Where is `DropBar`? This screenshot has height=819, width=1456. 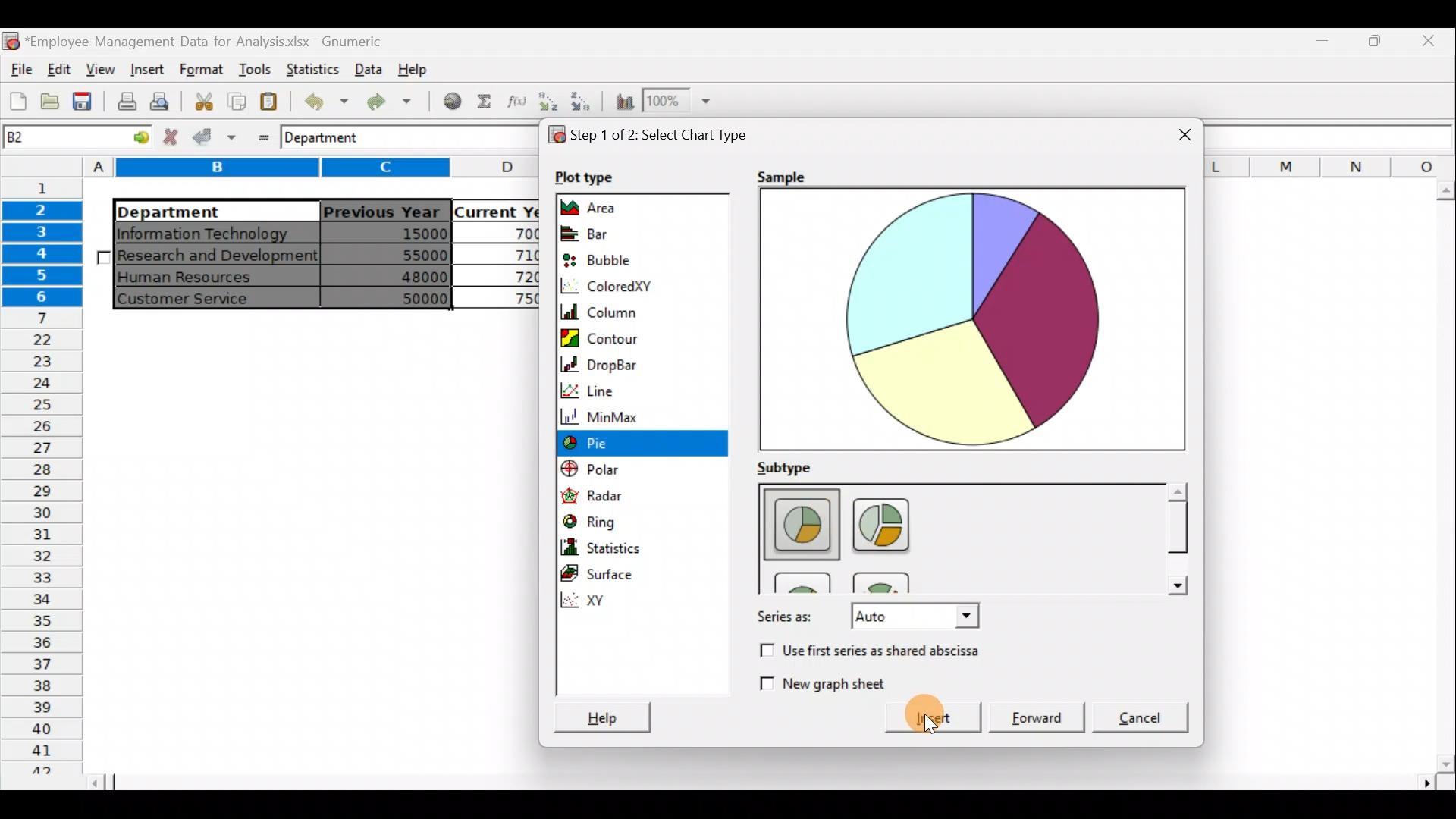
DropBar is located at coordinates (633, 363).